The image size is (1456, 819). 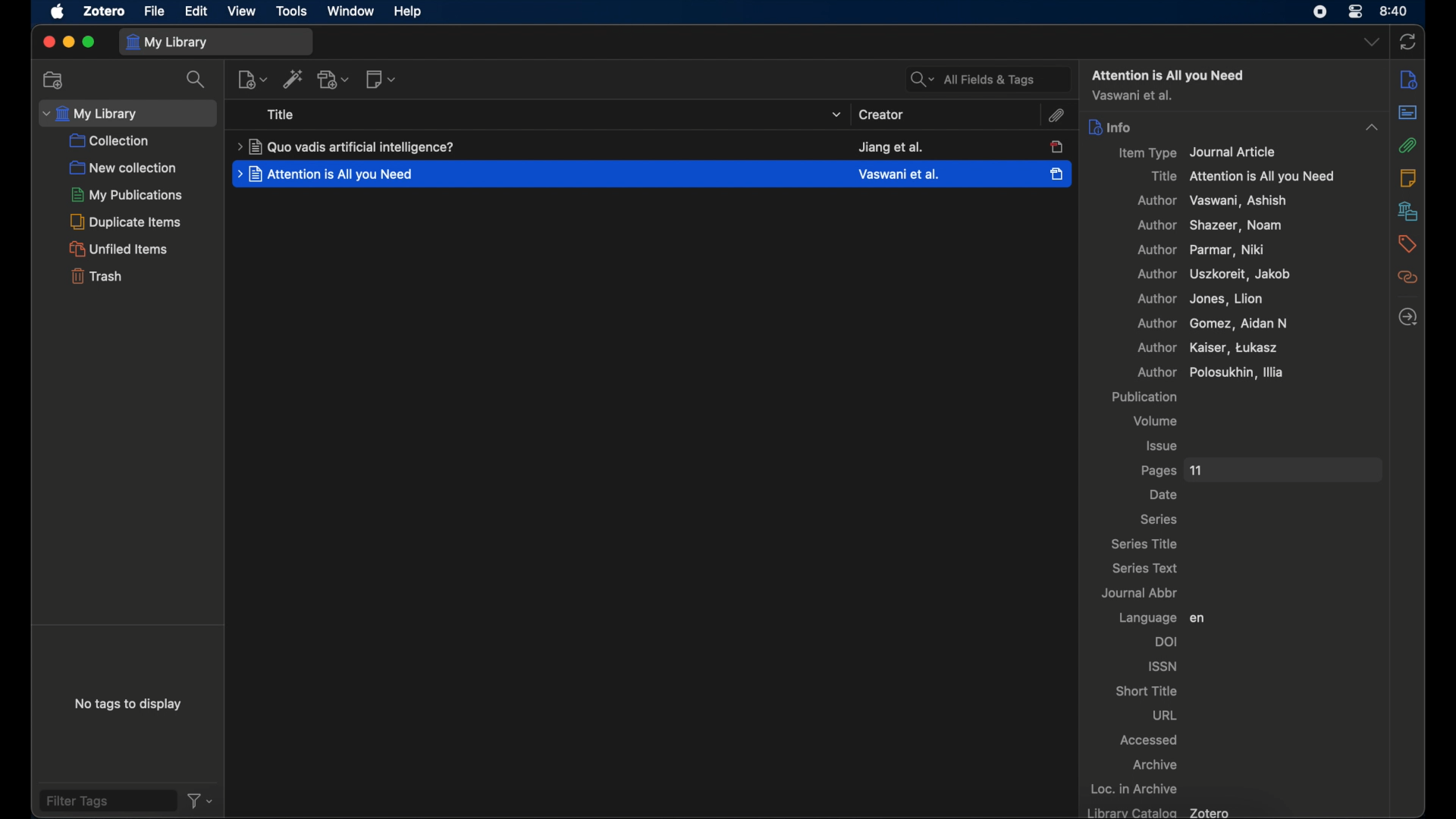 I want to click on title dropdown, so click(x=837, y=115).